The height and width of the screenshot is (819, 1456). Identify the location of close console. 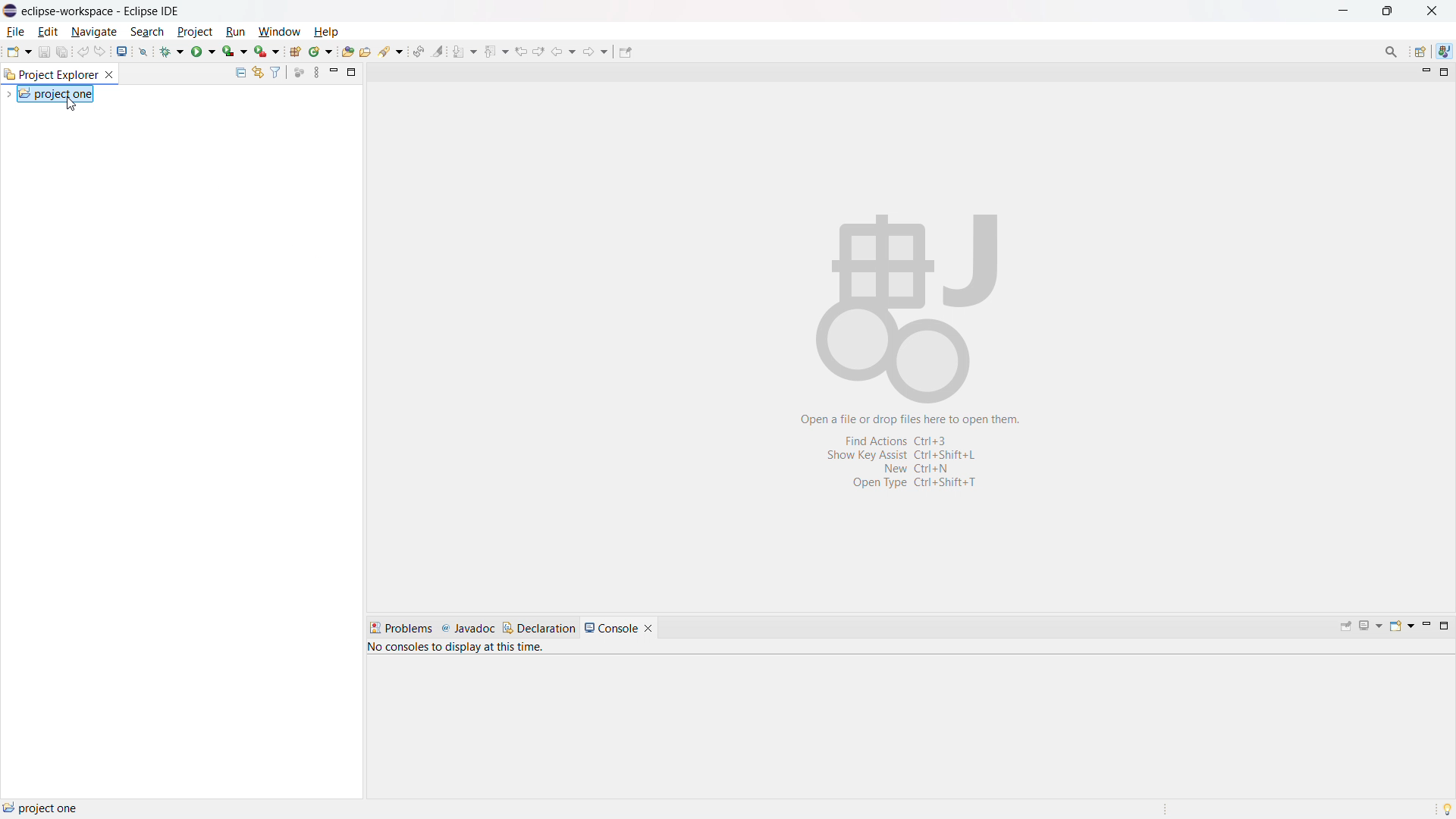
(648, 629).